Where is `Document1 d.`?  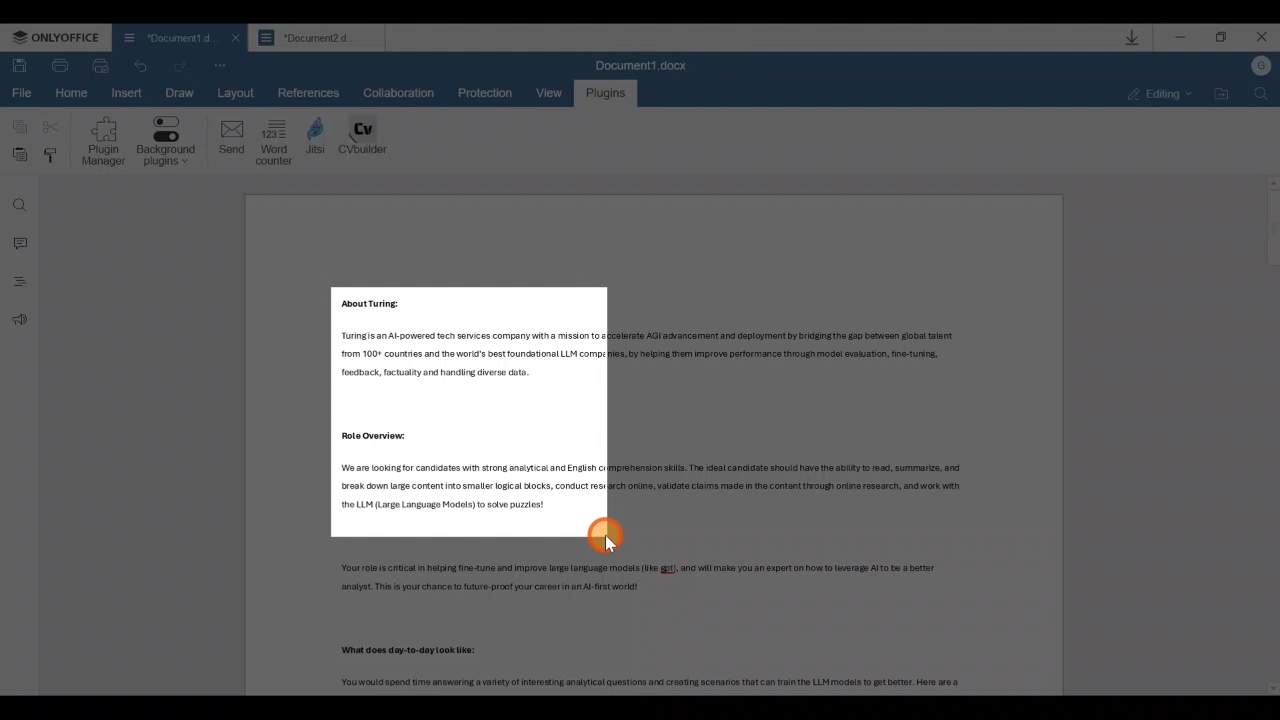
Document1 d. is located at coordinates (164, 36).